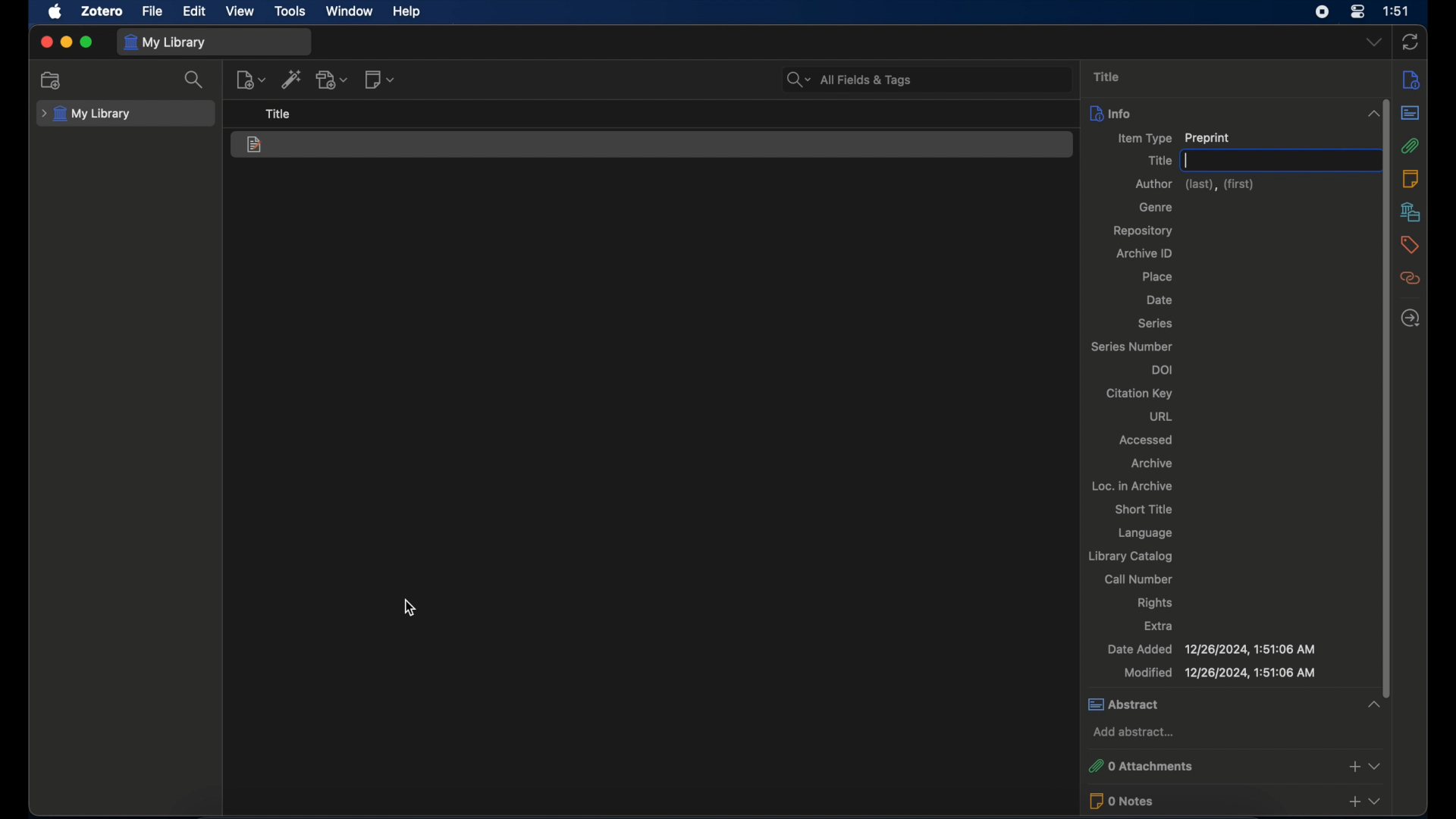 The image size is (1456, 819). I want to click on text cursor, so click(1188, 161).